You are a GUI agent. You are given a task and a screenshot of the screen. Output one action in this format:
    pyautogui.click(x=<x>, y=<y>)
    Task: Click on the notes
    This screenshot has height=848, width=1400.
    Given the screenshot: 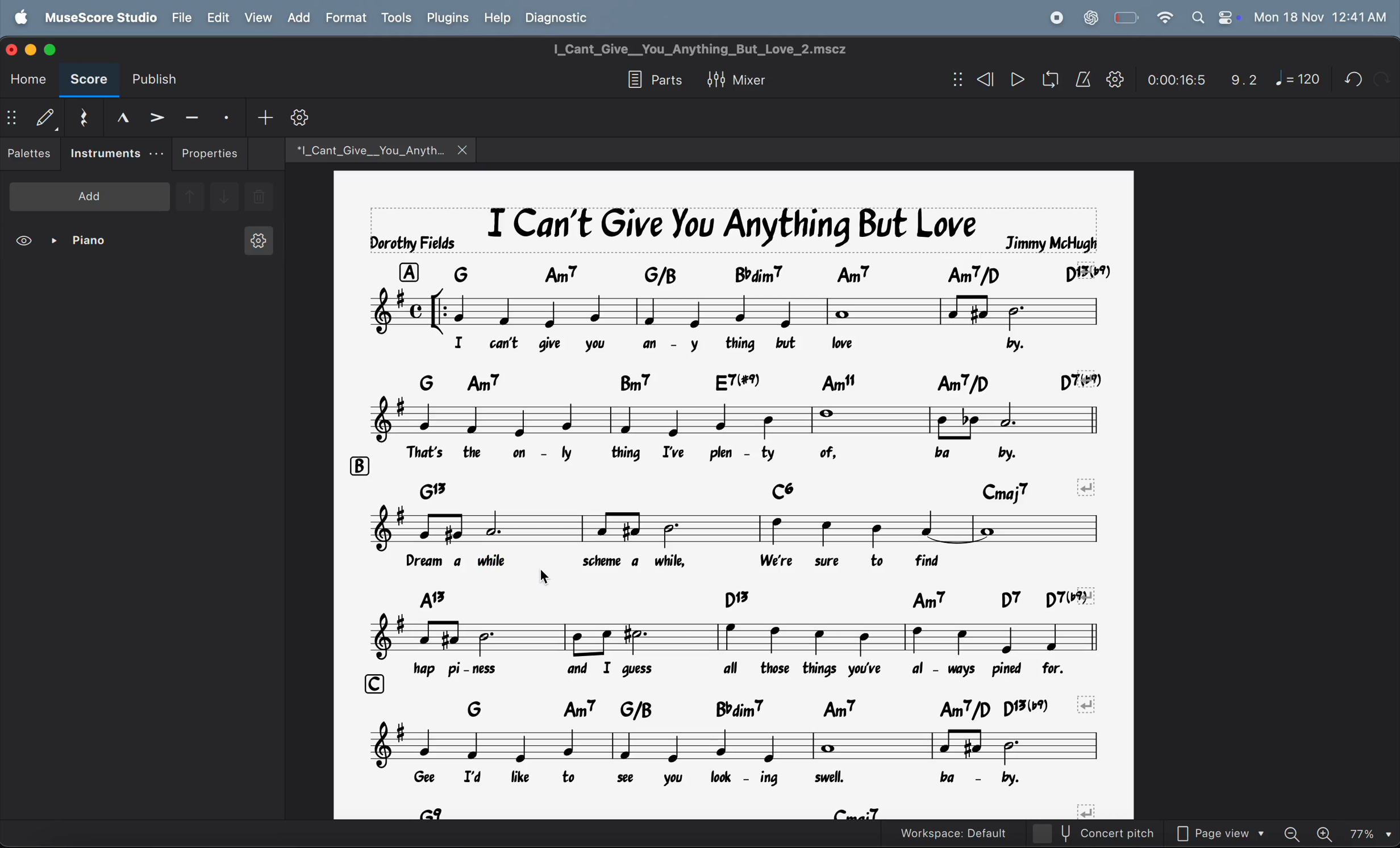 What is the action you would take?
    pyautogui.click(x=739, y=311)
    